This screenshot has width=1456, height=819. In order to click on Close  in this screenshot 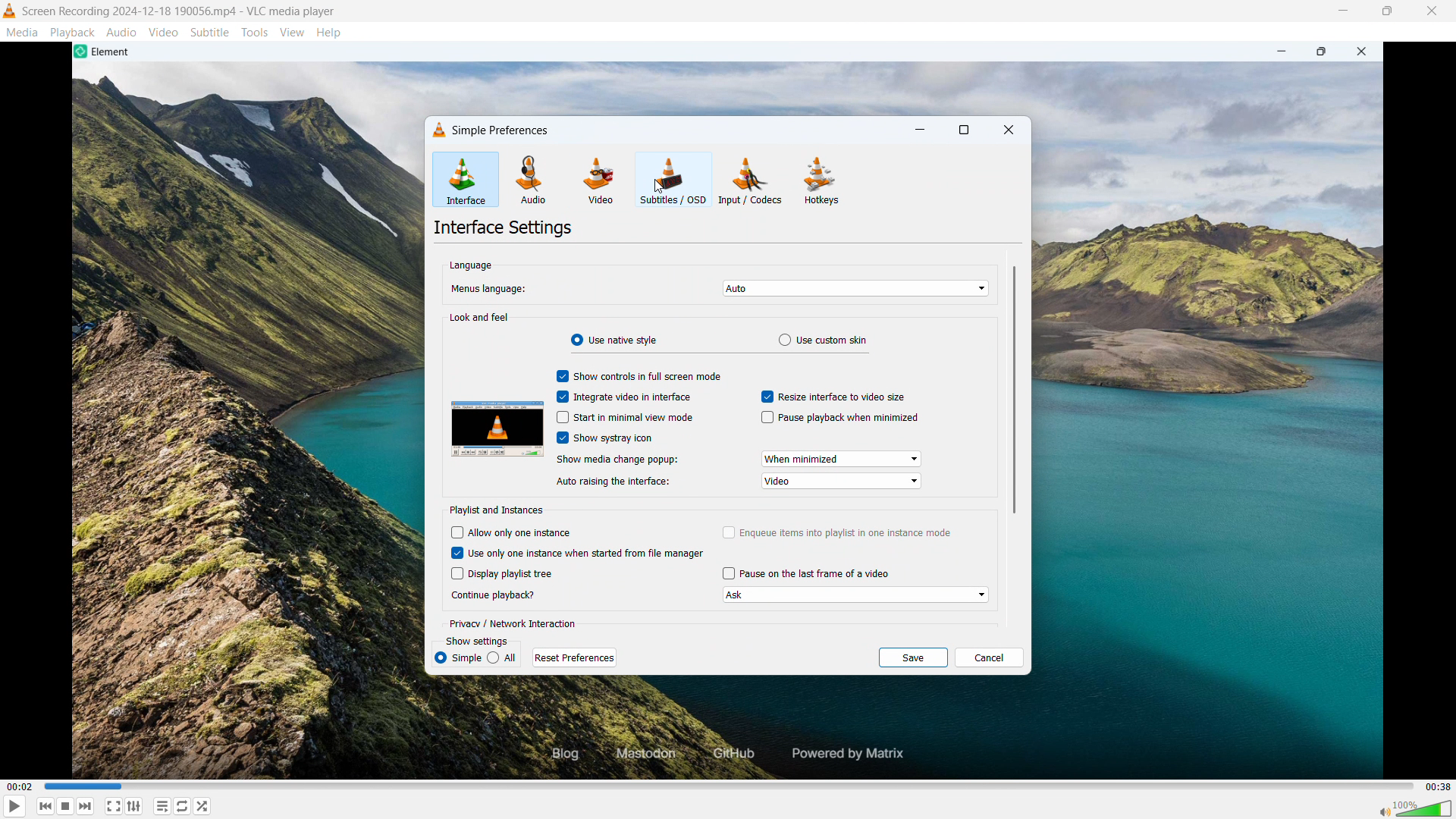, I will do `click(1432, 11)`.